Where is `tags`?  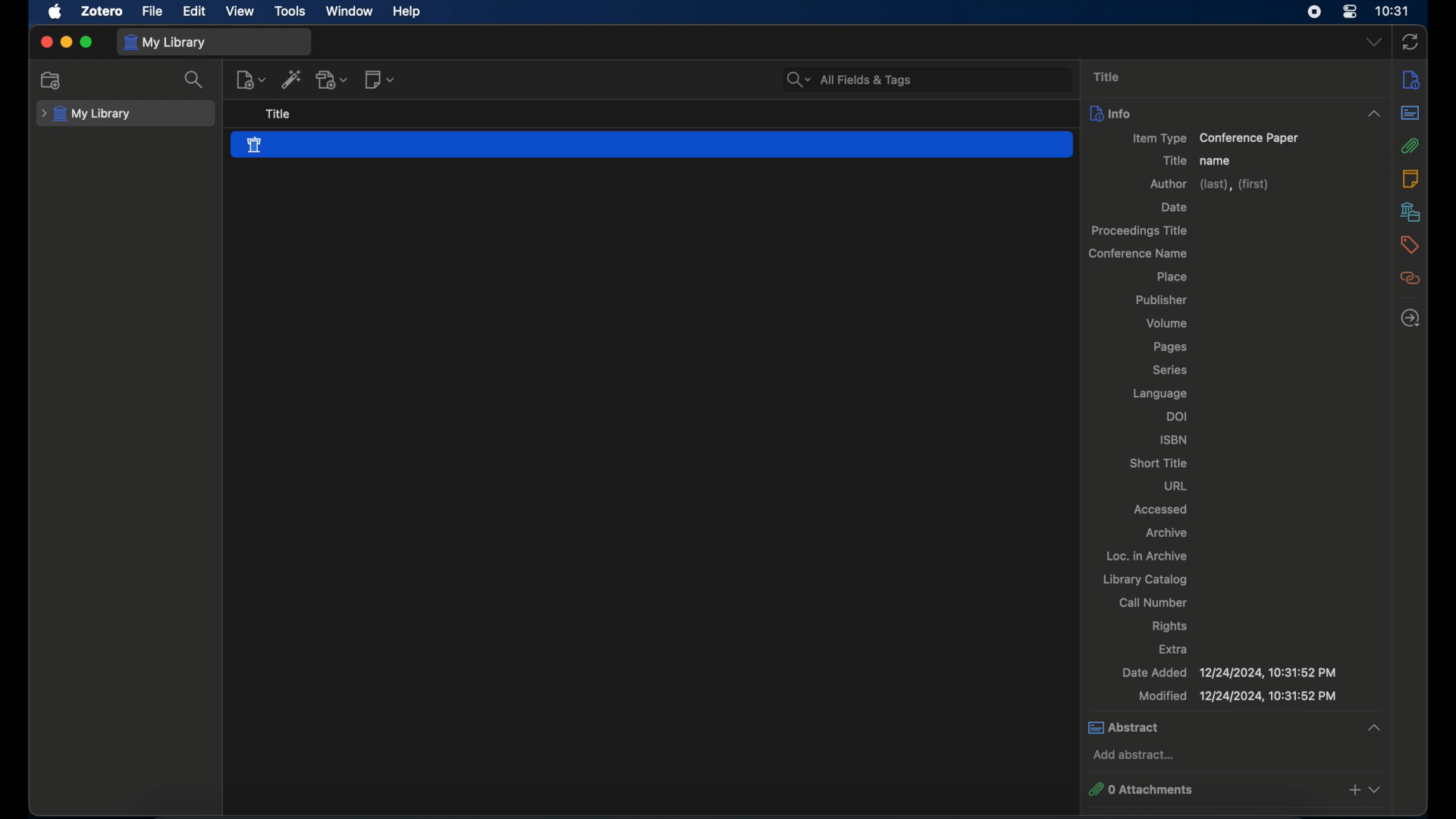 tags is located at coordinates (1409, 245).